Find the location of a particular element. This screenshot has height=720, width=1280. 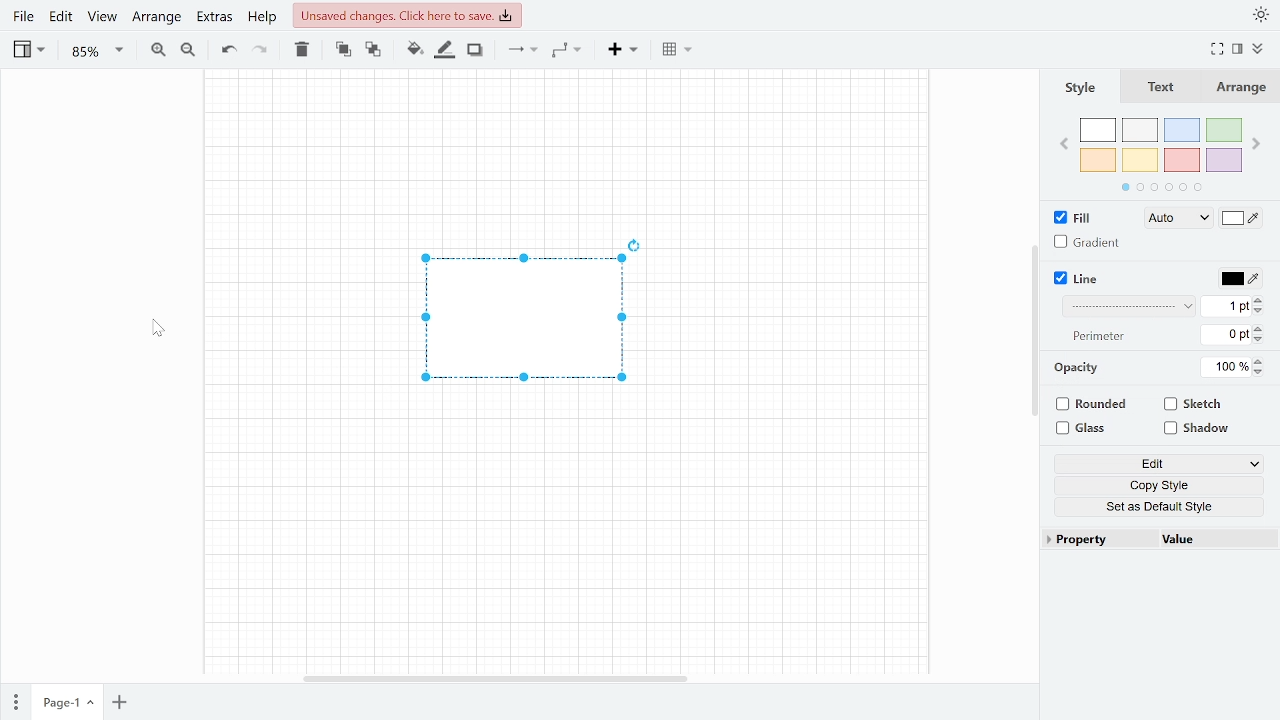

Line width (1 pt) is located at coordinates (1226, 307).